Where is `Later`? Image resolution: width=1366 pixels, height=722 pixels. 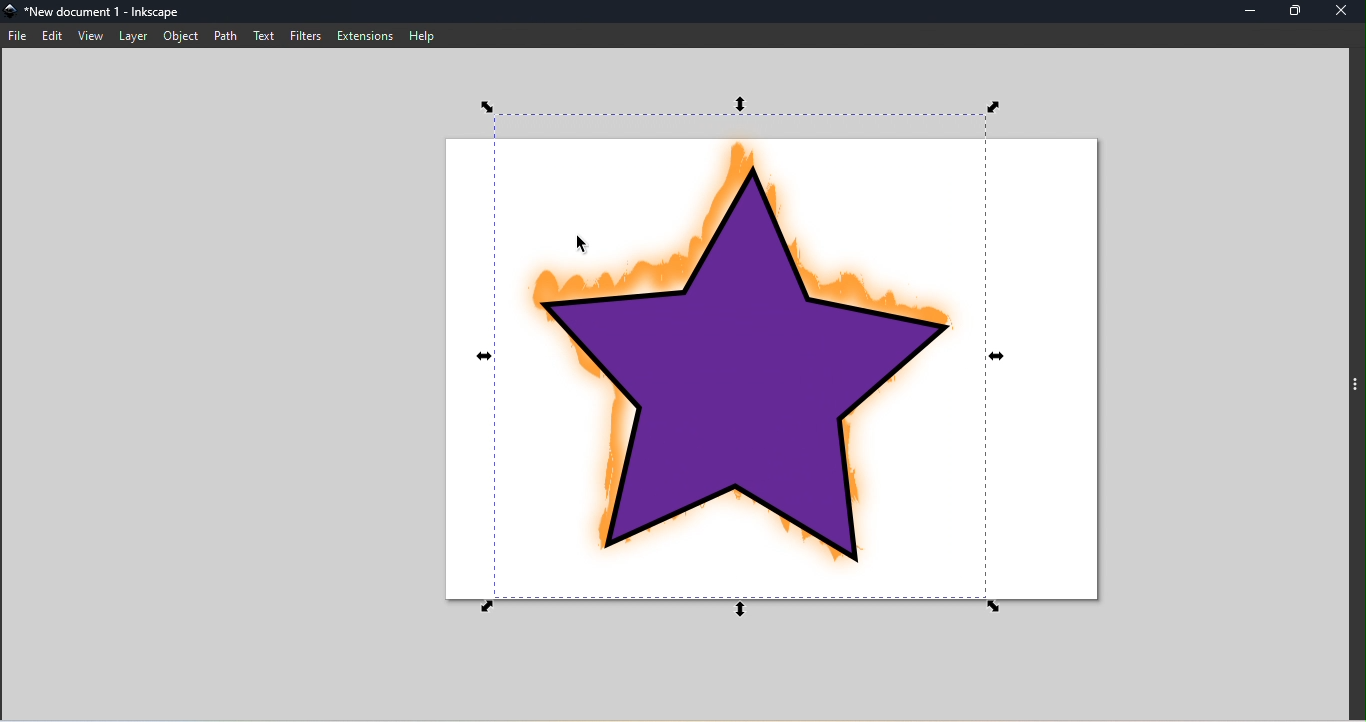
Later is located at coordinates (133, 39).